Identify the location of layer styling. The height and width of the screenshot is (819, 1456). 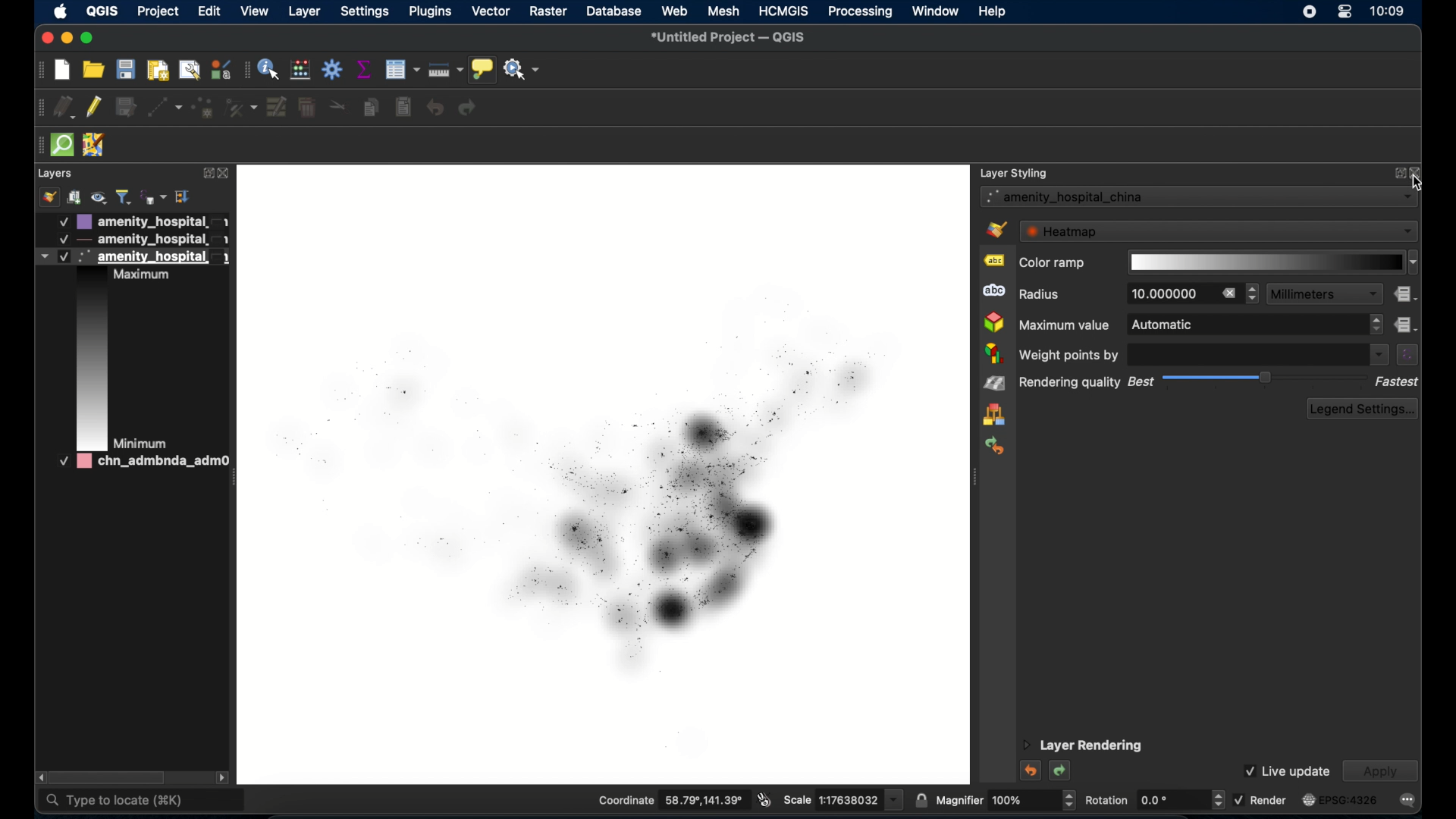
(1015, 172).